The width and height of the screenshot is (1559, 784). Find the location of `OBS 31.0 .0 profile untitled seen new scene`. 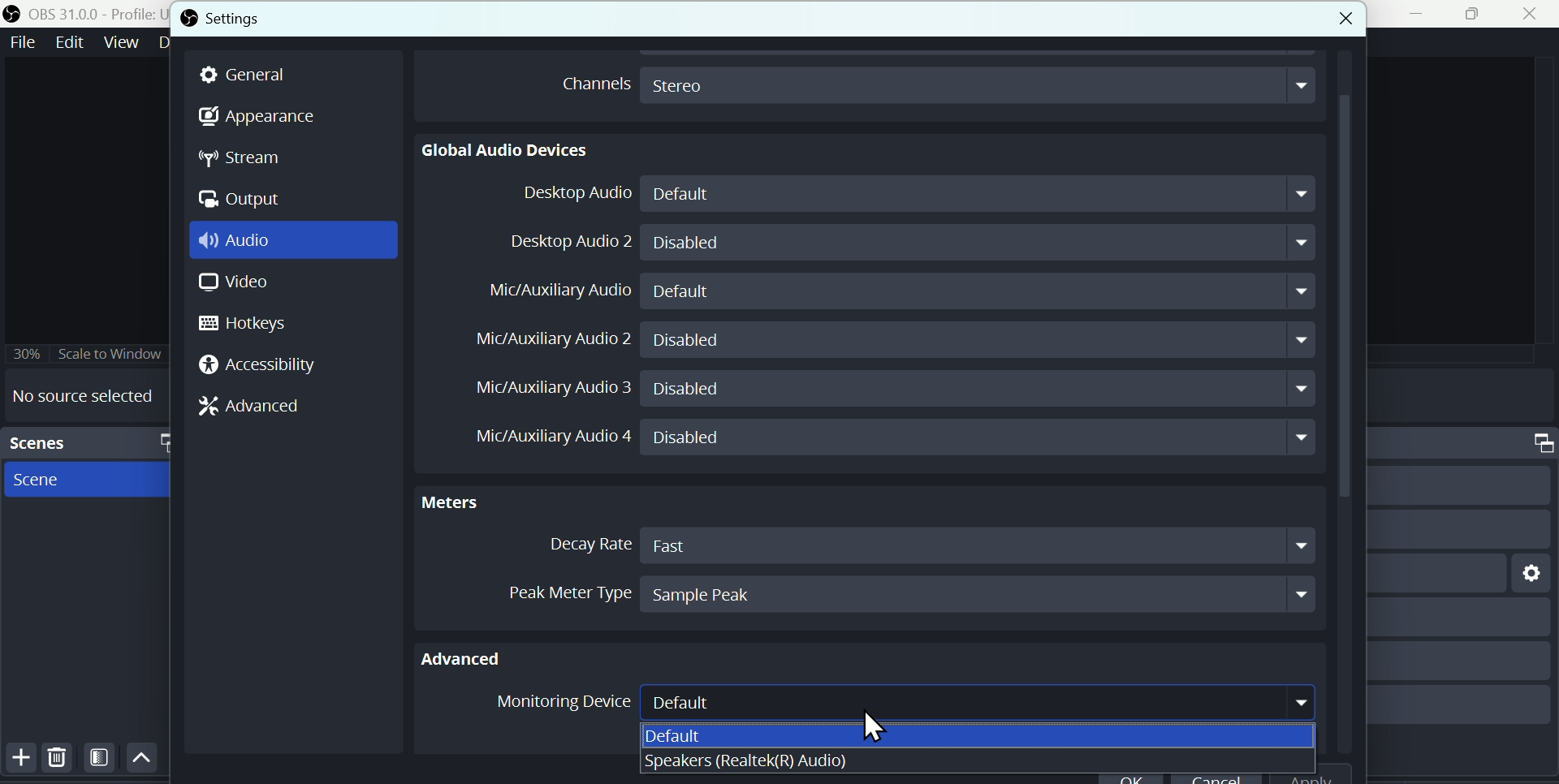

OBS 31.0 .0 profile untitled seen new scene is located at coordinates (96, 13).